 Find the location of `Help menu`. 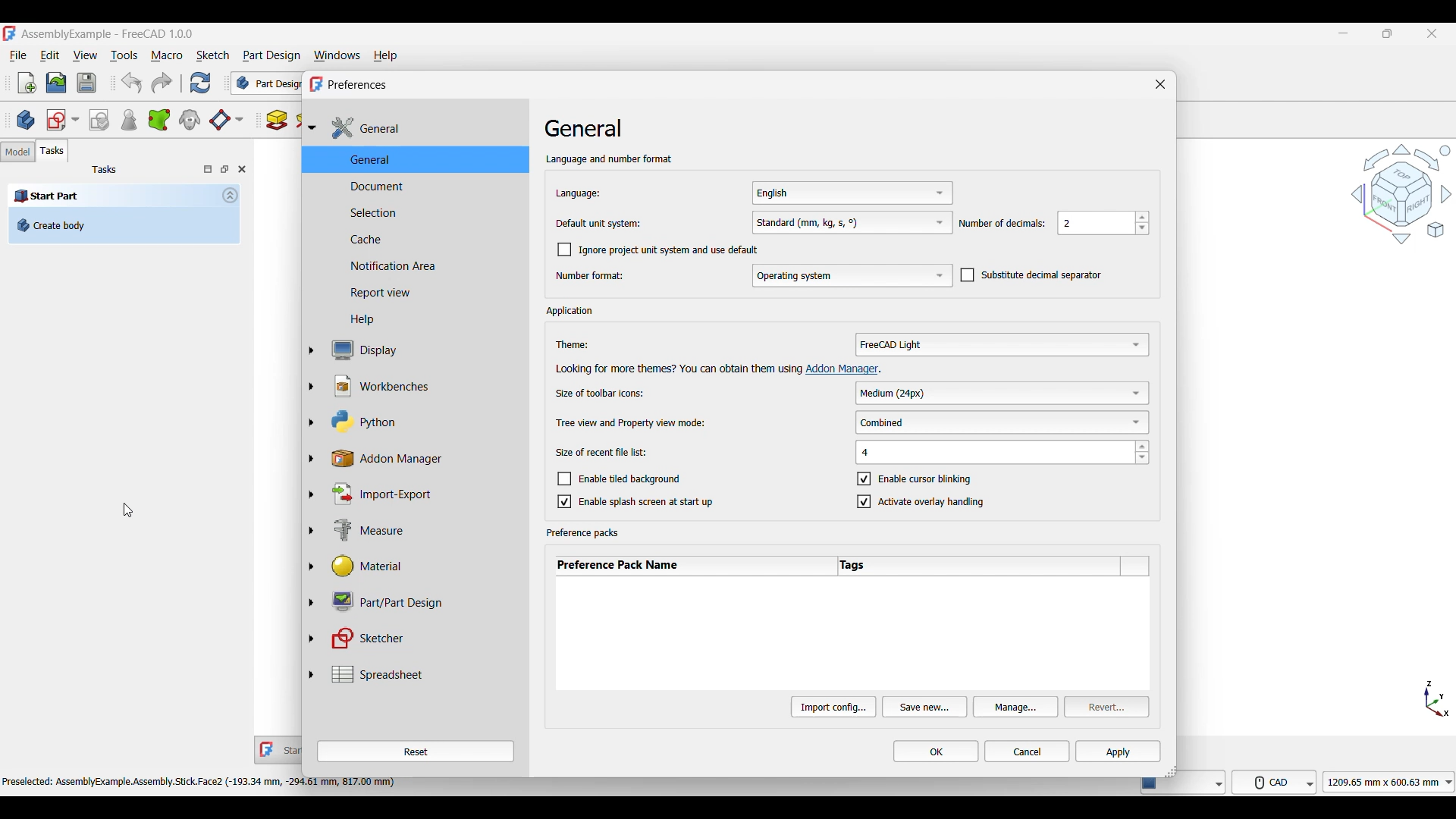

Help menu is located at coordinates (385, 56).